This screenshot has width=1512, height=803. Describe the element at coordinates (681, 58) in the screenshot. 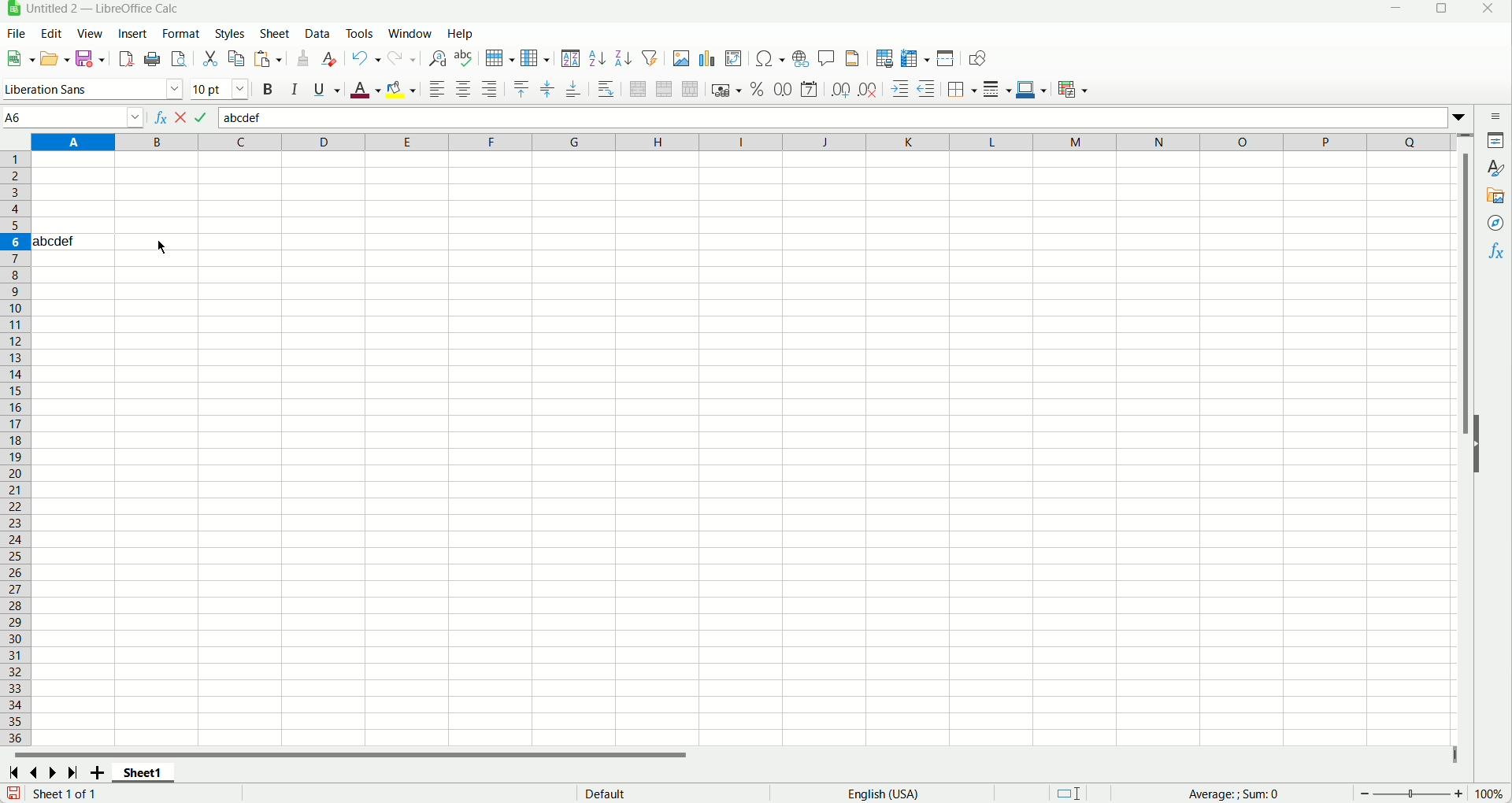

I see `insert image` at that location.